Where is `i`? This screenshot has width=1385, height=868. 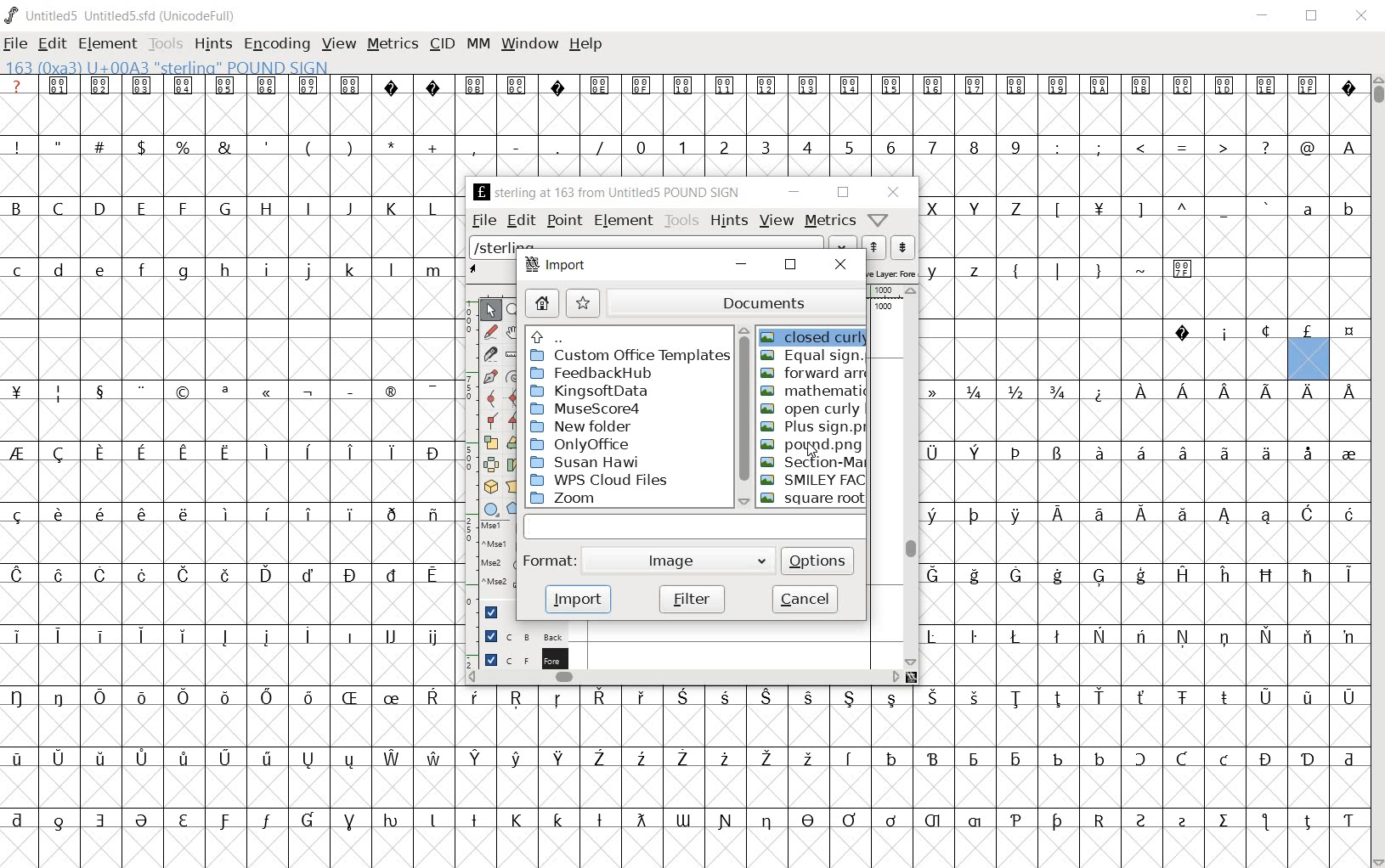
i is located at coordinates (266, 271).